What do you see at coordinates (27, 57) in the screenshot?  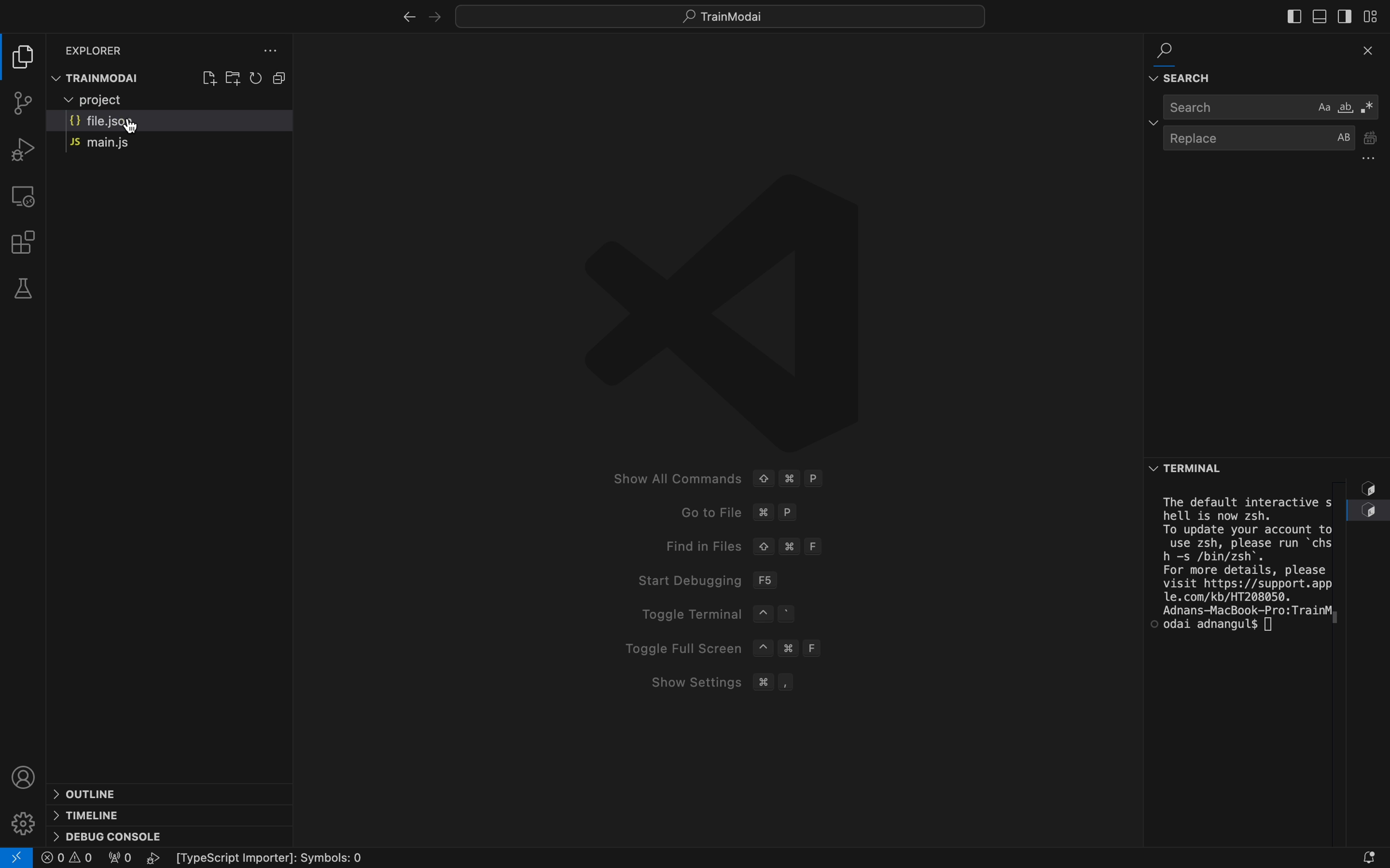 I see `file explorer ` at bounding box center [27, 57].